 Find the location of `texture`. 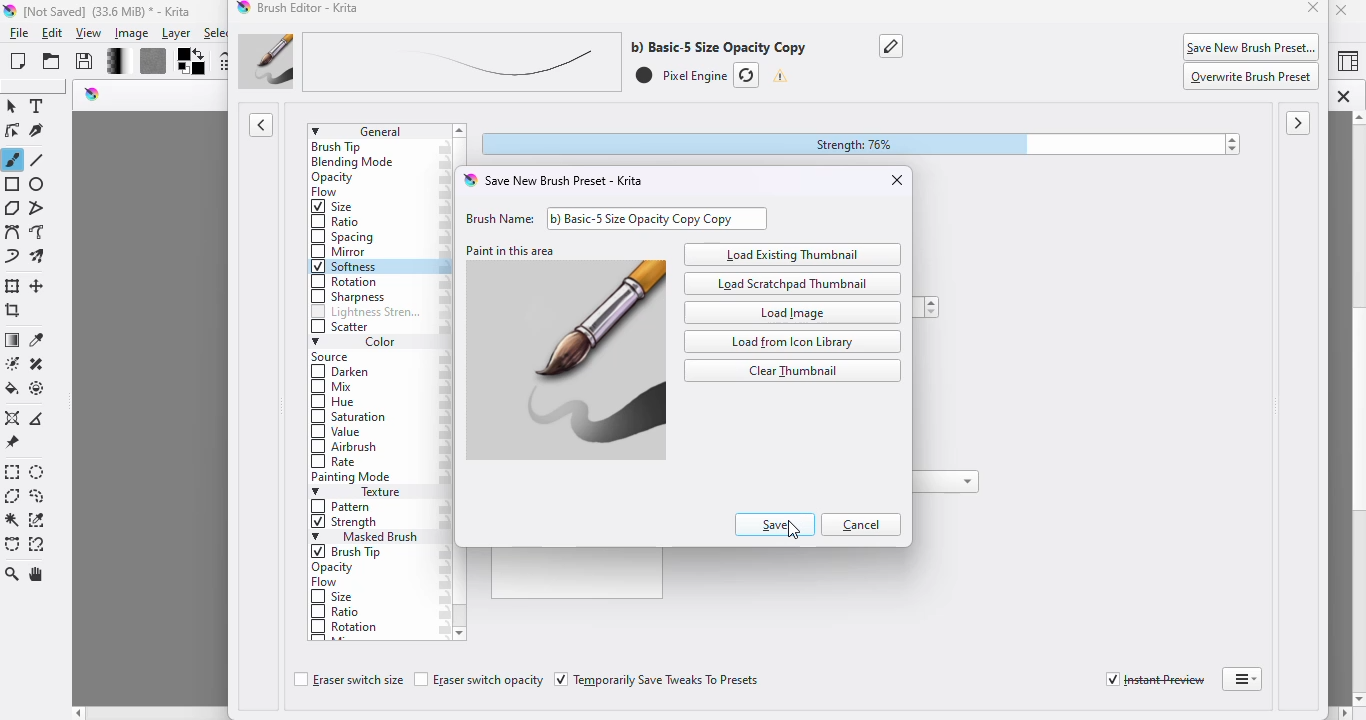

texture is located at coordinates (363, 493).